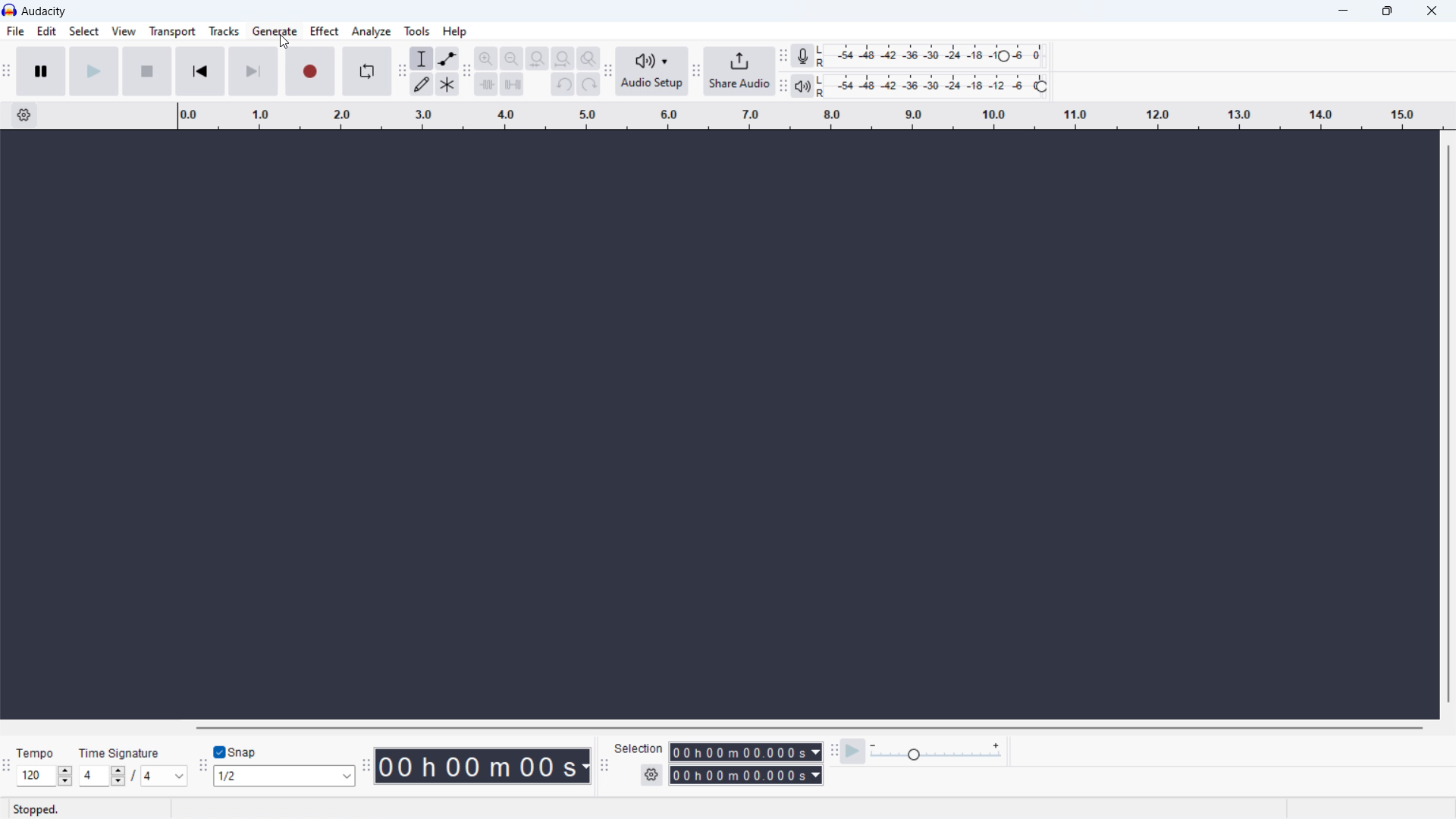 The image size is (1456, 819). Describe the element at coordinates (285, 42) in the screenshot. I see `cursor` at that location.